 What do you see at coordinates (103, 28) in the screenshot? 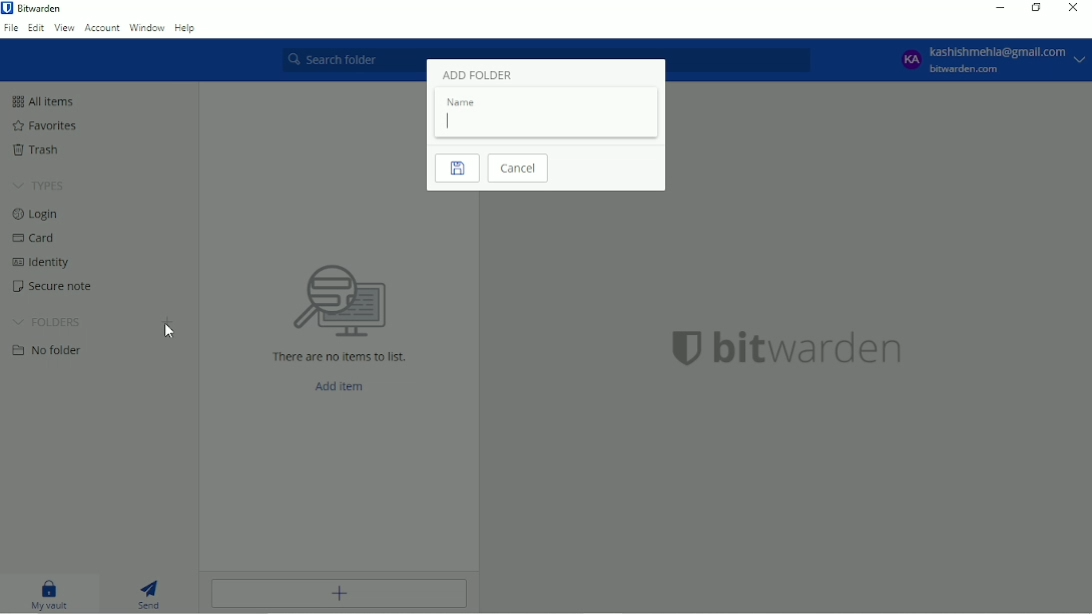
I see `Account` at bounding box center [103, 28].